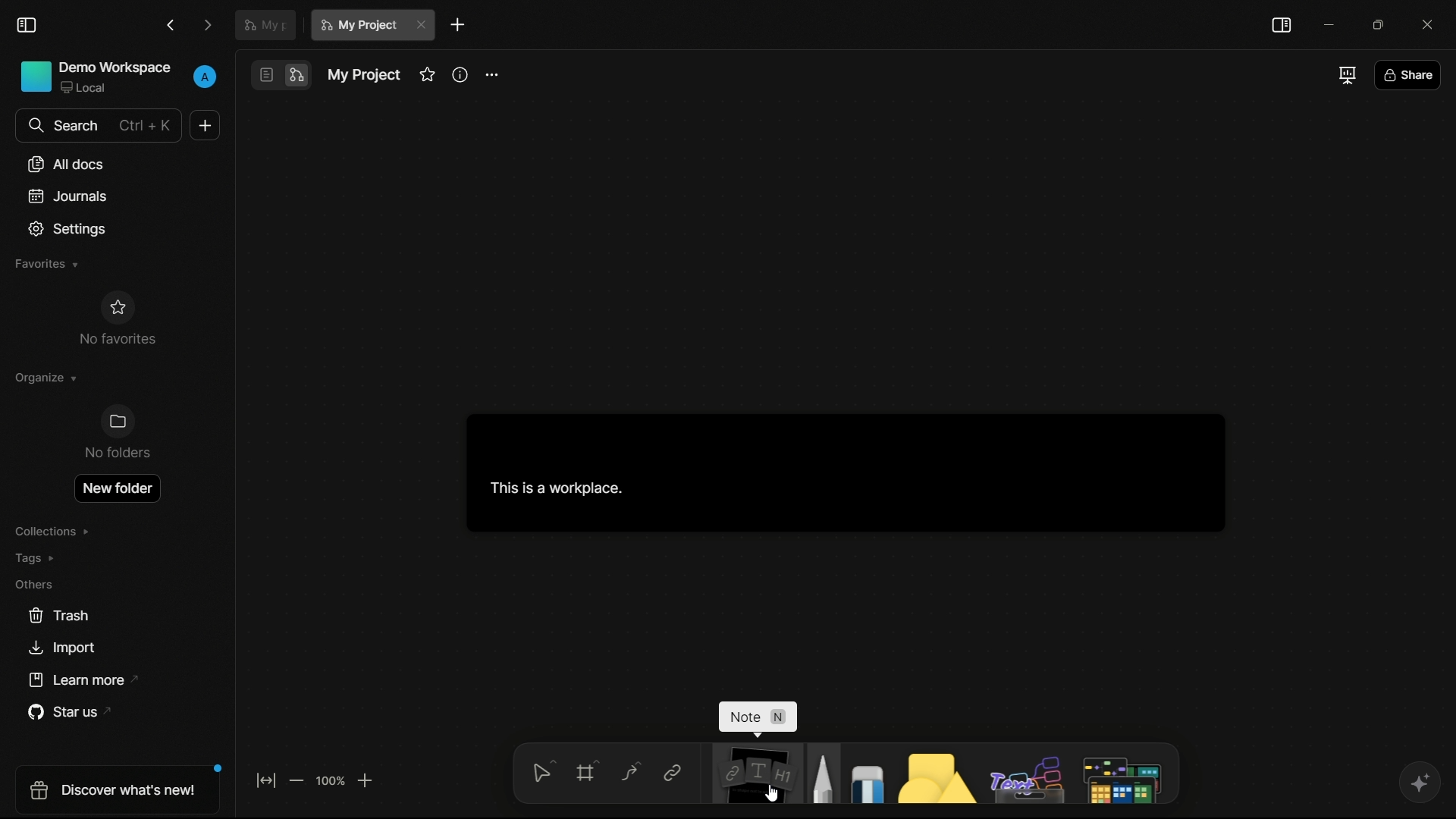 This screenshot has height=819, width=1456. Describe the element at coordinates (1345, 76) in the screenshot. I see `full screen` at that location.